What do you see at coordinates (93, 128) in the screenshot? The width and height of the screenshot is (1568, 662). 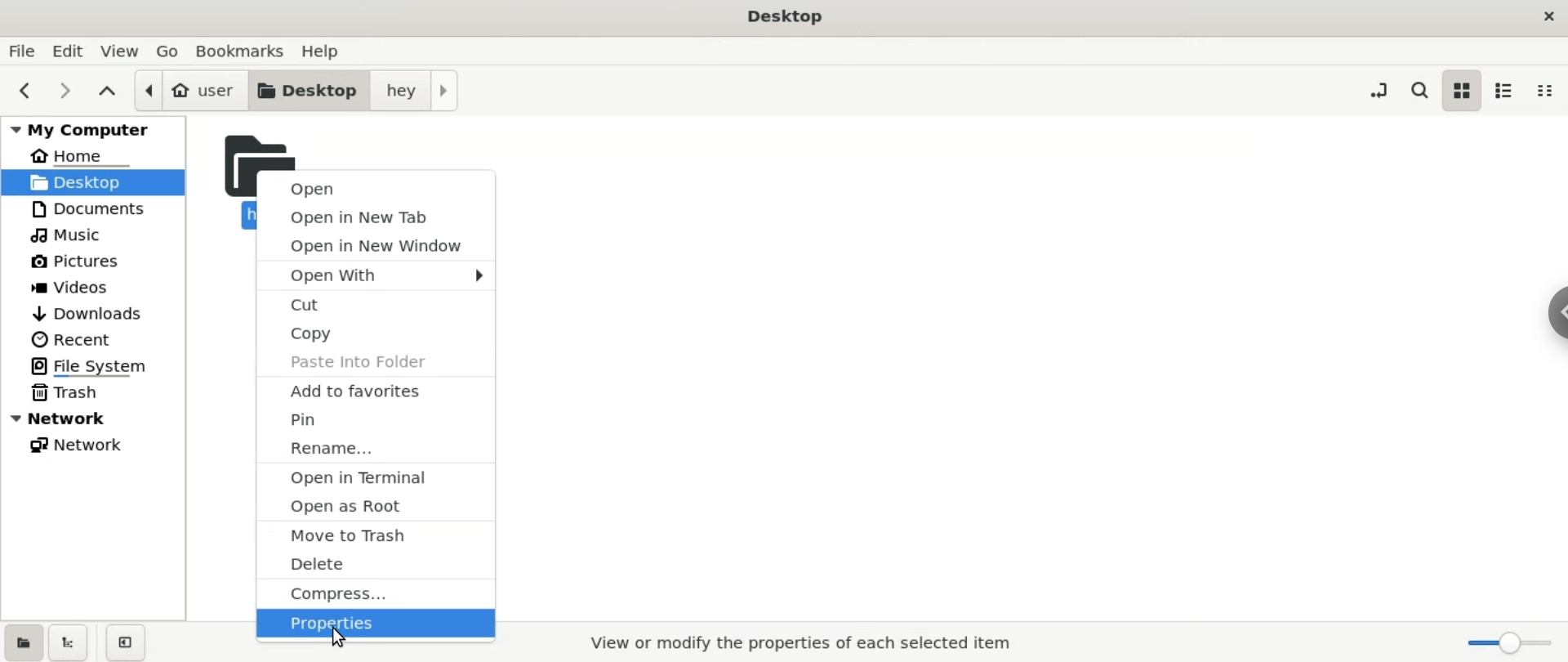 I see `my computer` at bounding box center [93, 128].